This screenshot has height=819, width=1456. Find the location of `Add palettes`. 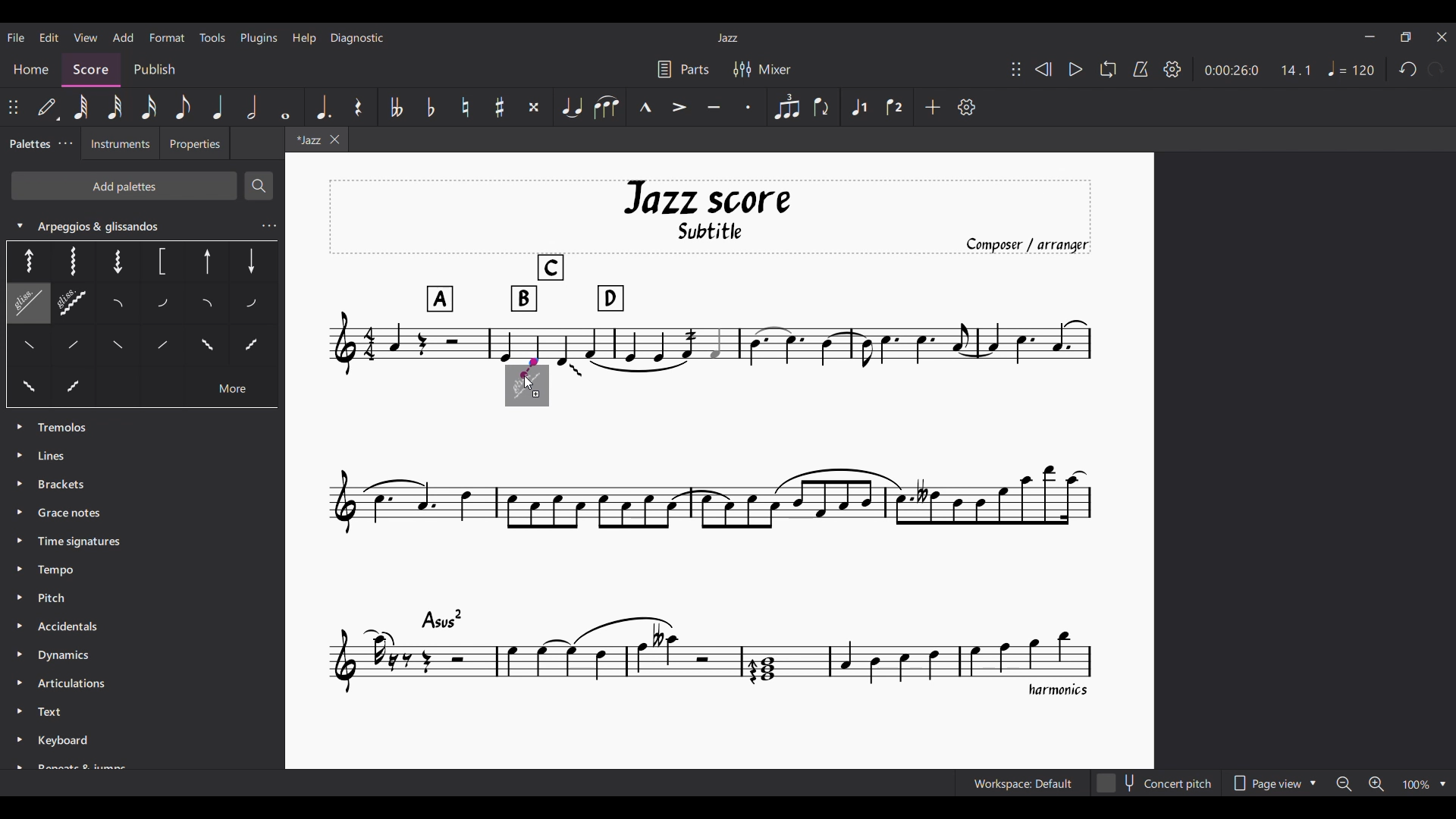

Add palettes is located at coordinates (124, 185).